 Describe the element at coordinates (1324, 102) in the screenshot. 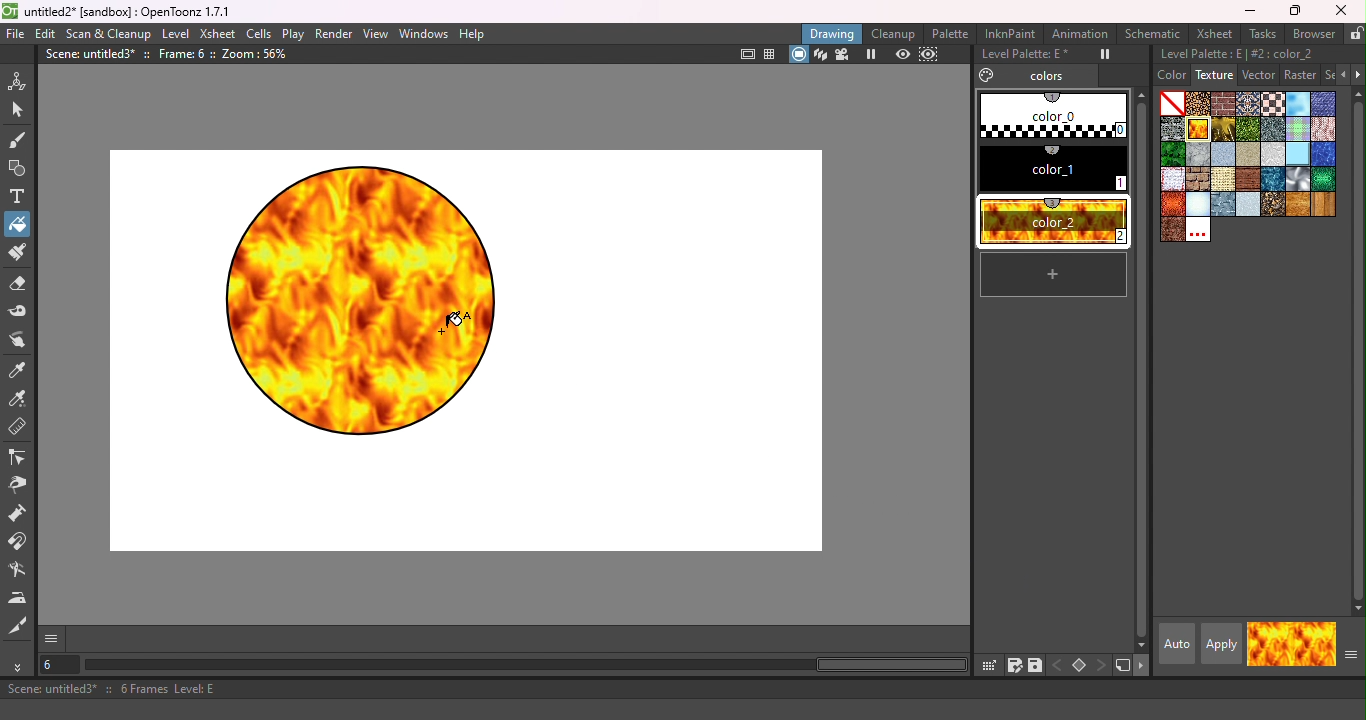

I see `Denim2_s.bmp` at that location.